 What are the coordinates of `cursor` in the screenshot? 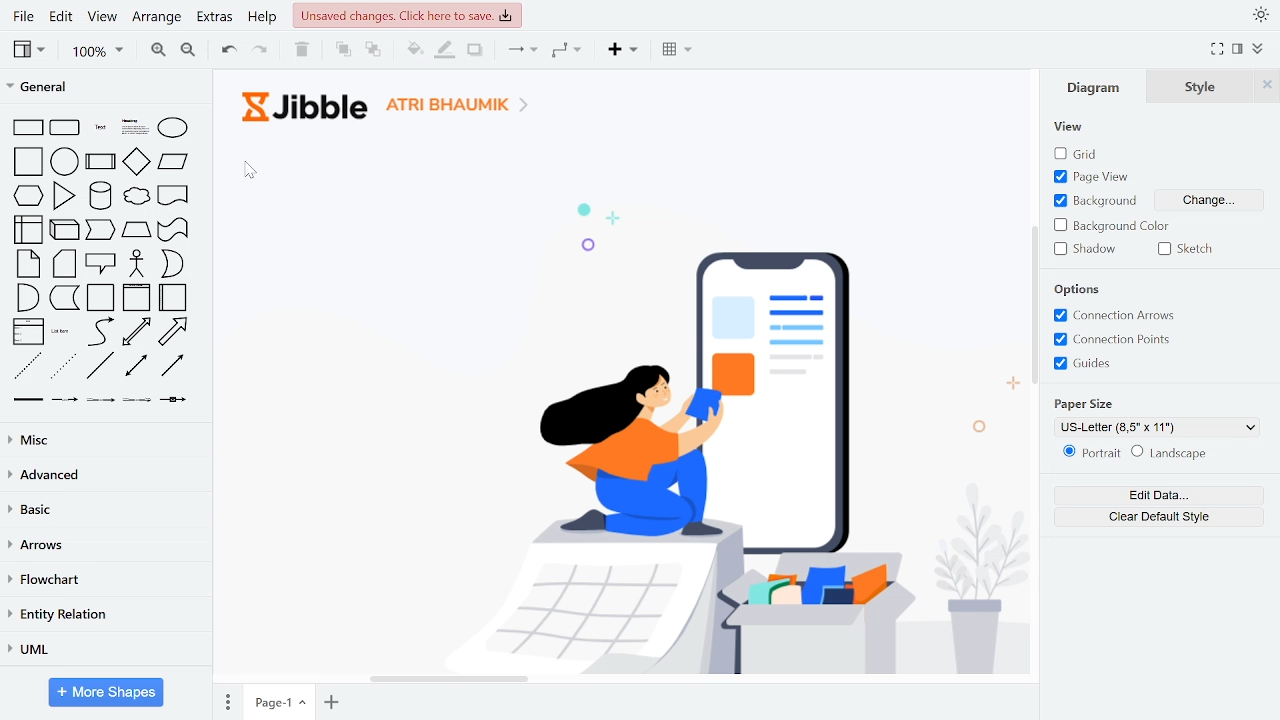 It's located at (250, 170).